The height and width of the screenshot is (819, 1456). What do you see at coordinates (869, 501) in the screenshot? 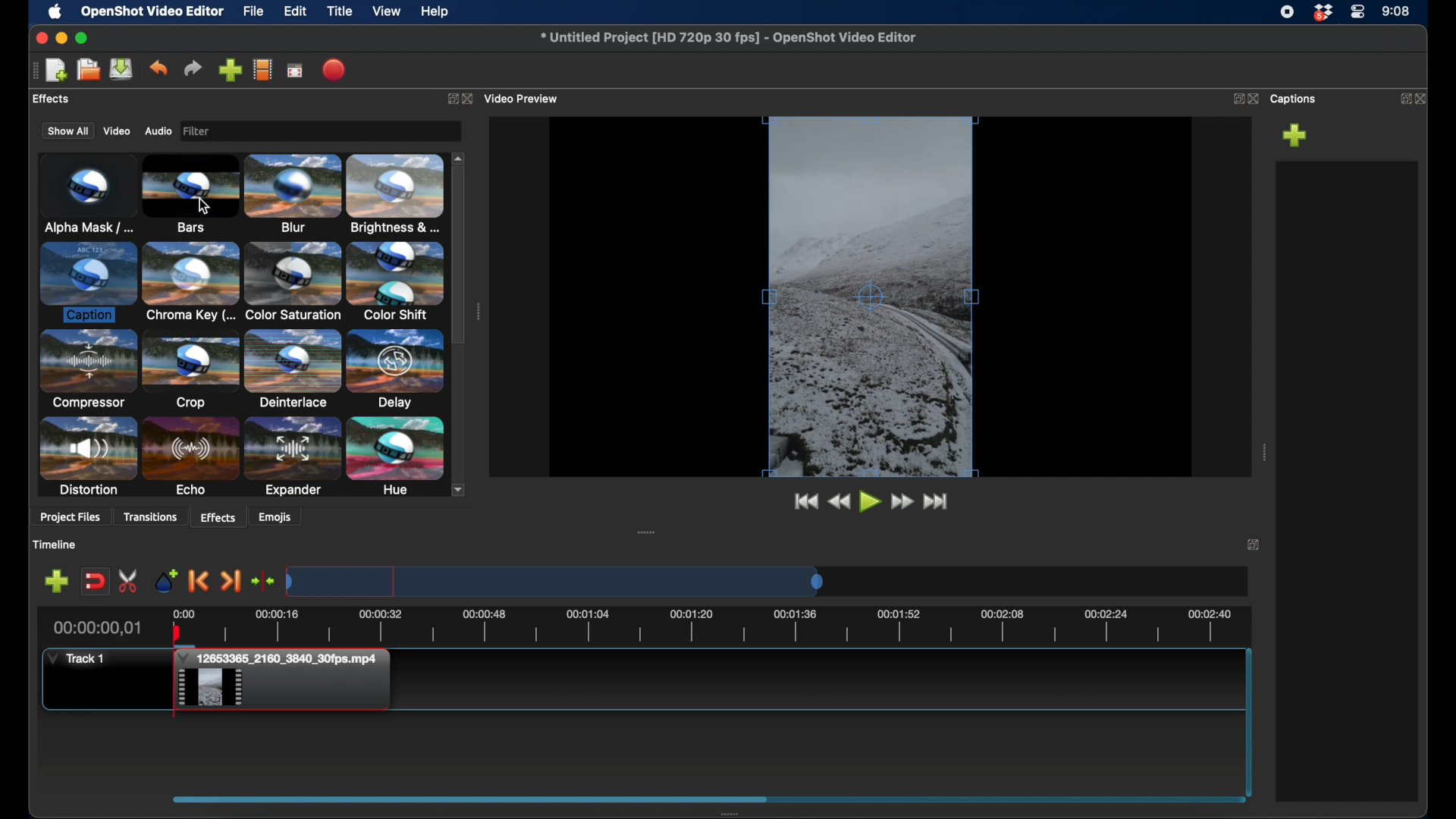
I see `play` at bounding box center [869, 501].